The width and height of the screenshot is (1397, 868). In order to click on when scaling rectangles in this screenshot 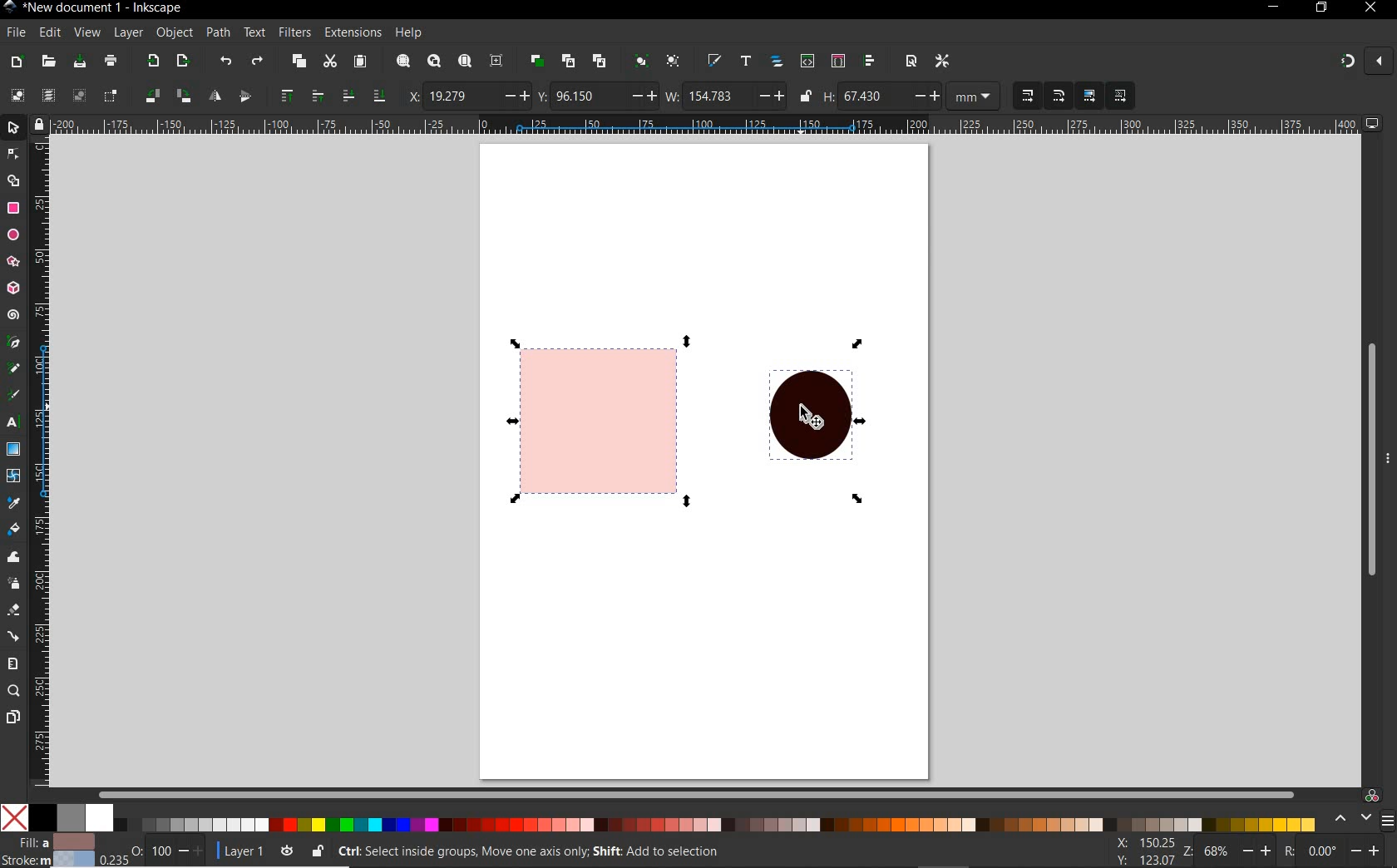, I will do `click(1059, 96)`.